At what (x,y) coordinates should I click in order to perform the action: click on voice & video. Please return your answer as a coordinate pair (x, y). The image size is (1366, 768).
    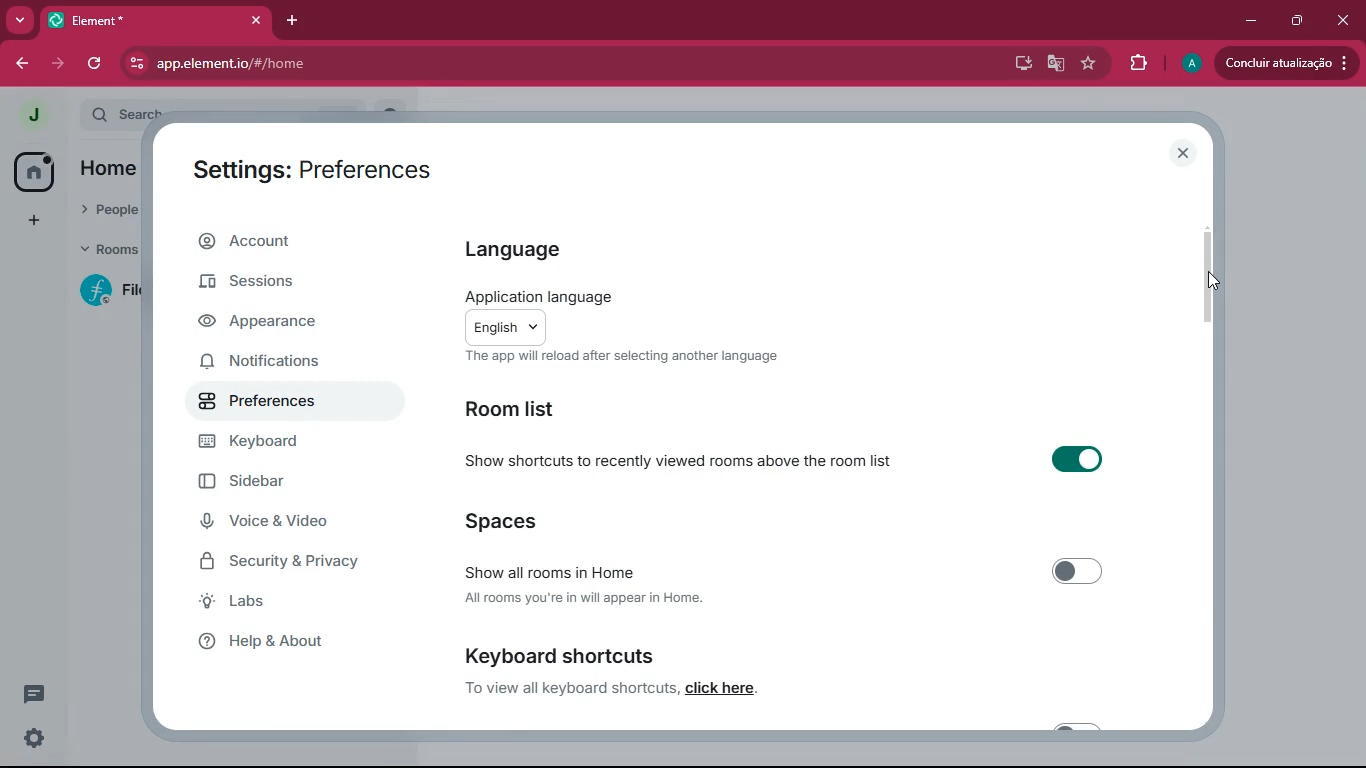
    Looking at the image, I should click on (293, 521).